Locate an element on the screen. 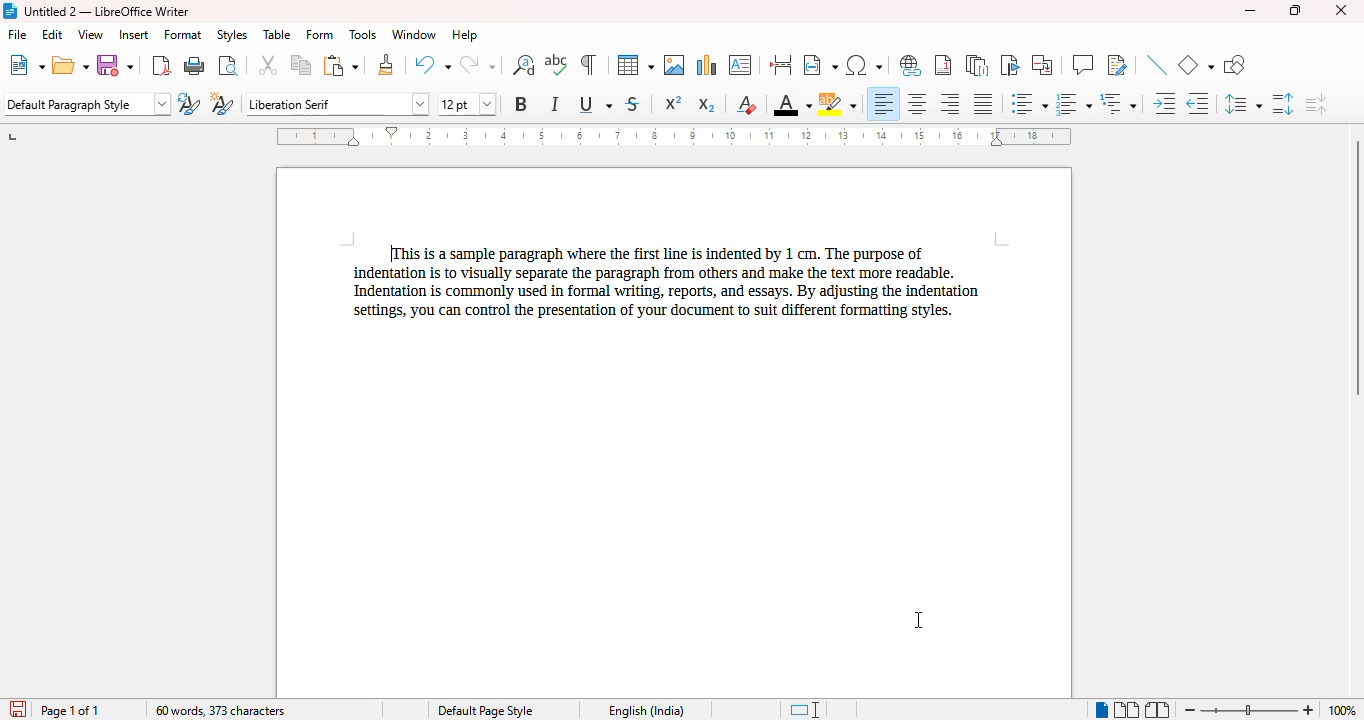 The image size is (1364, 720). styles is located at coordinates (231, 34).